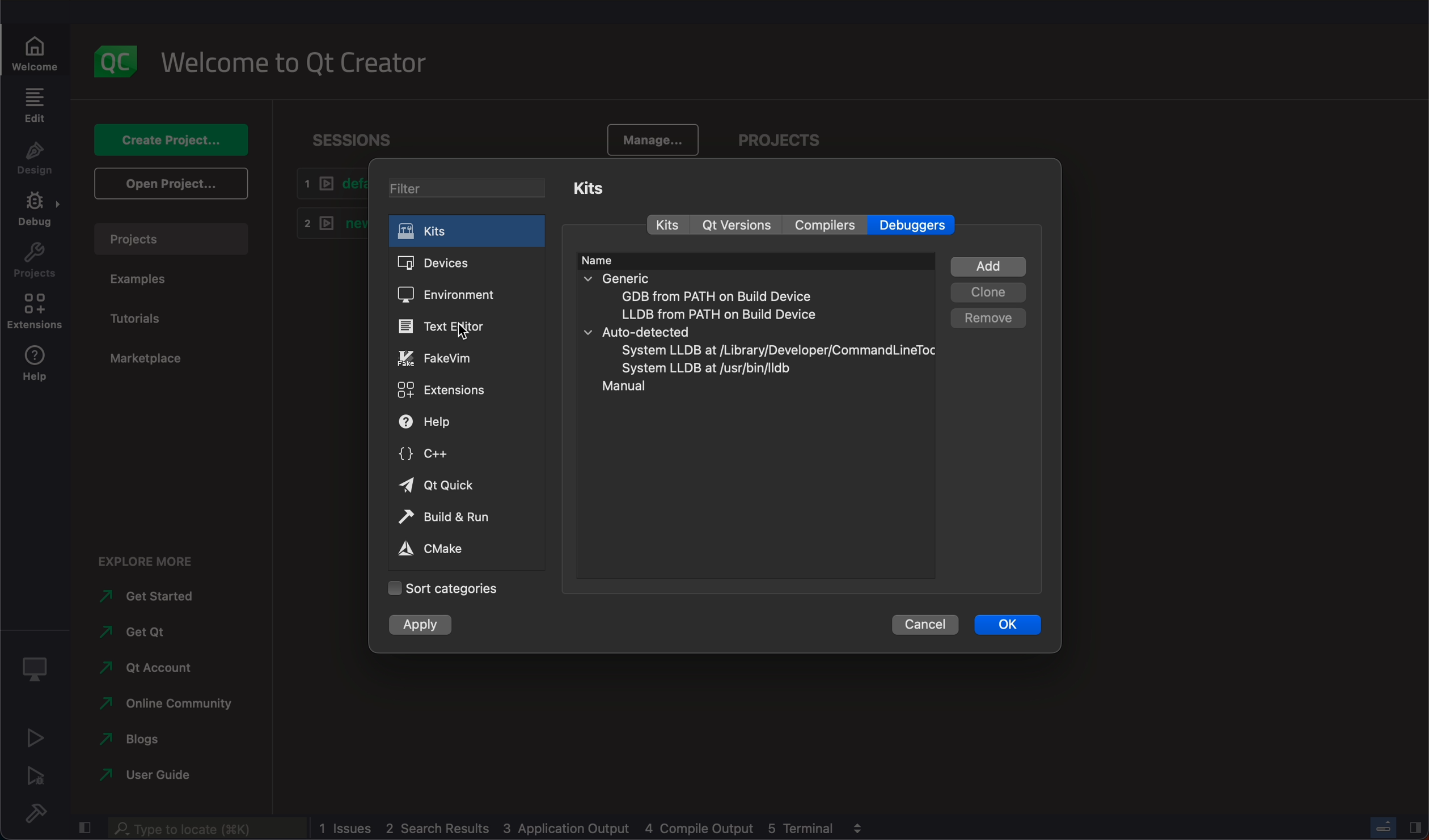 This screenshot has width=1429, height=840. I want to click on account, so click(150, 669).